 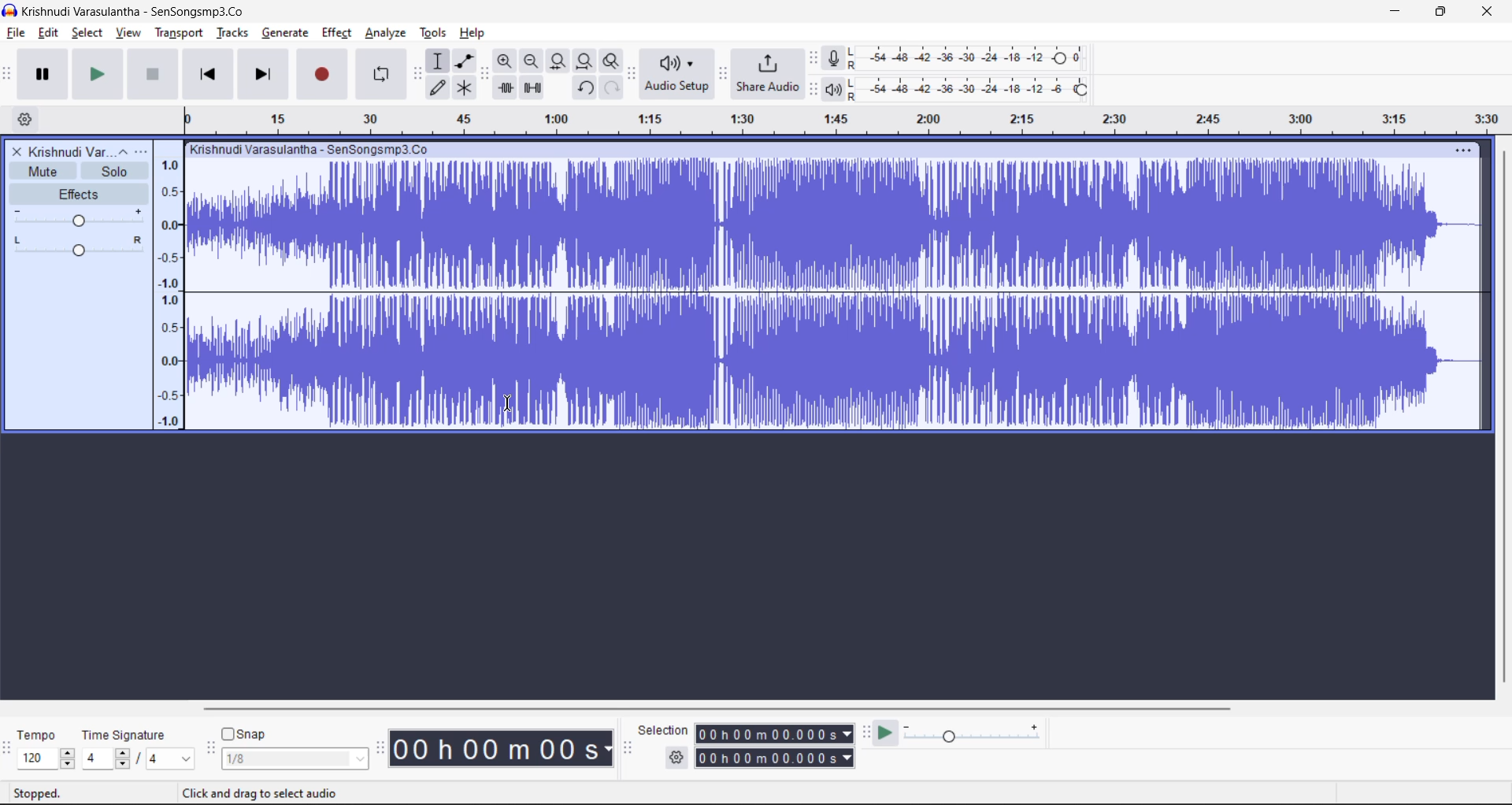 I want to click on selection settings, so click(x=676, y=757).